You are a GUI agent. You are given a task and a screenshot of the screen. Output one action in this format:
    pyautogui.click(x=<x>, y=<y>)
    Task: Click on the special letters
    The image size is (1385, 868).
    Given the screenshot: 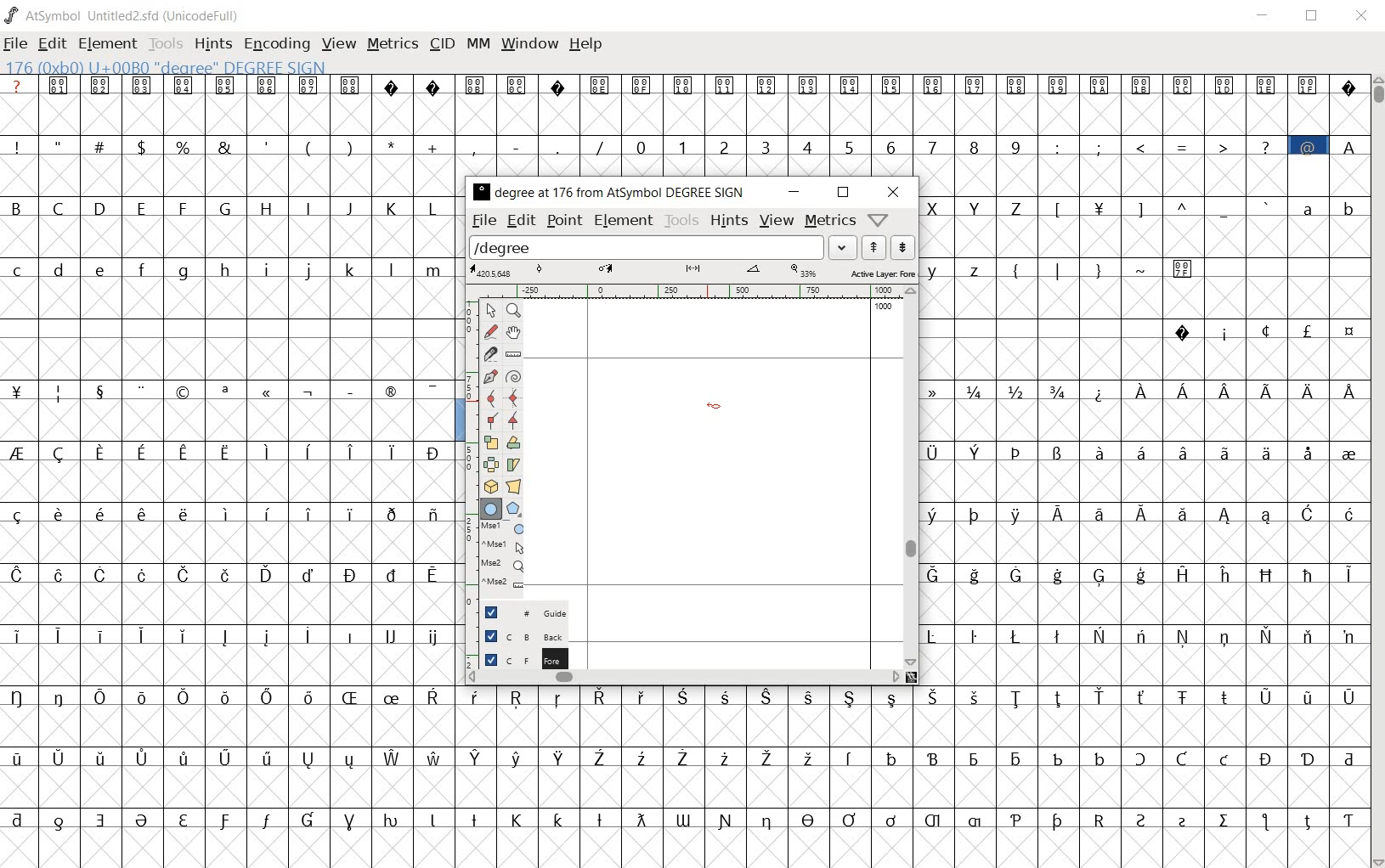 What is the action you would take?
    pyautogui.click(x=229, y=757)
    